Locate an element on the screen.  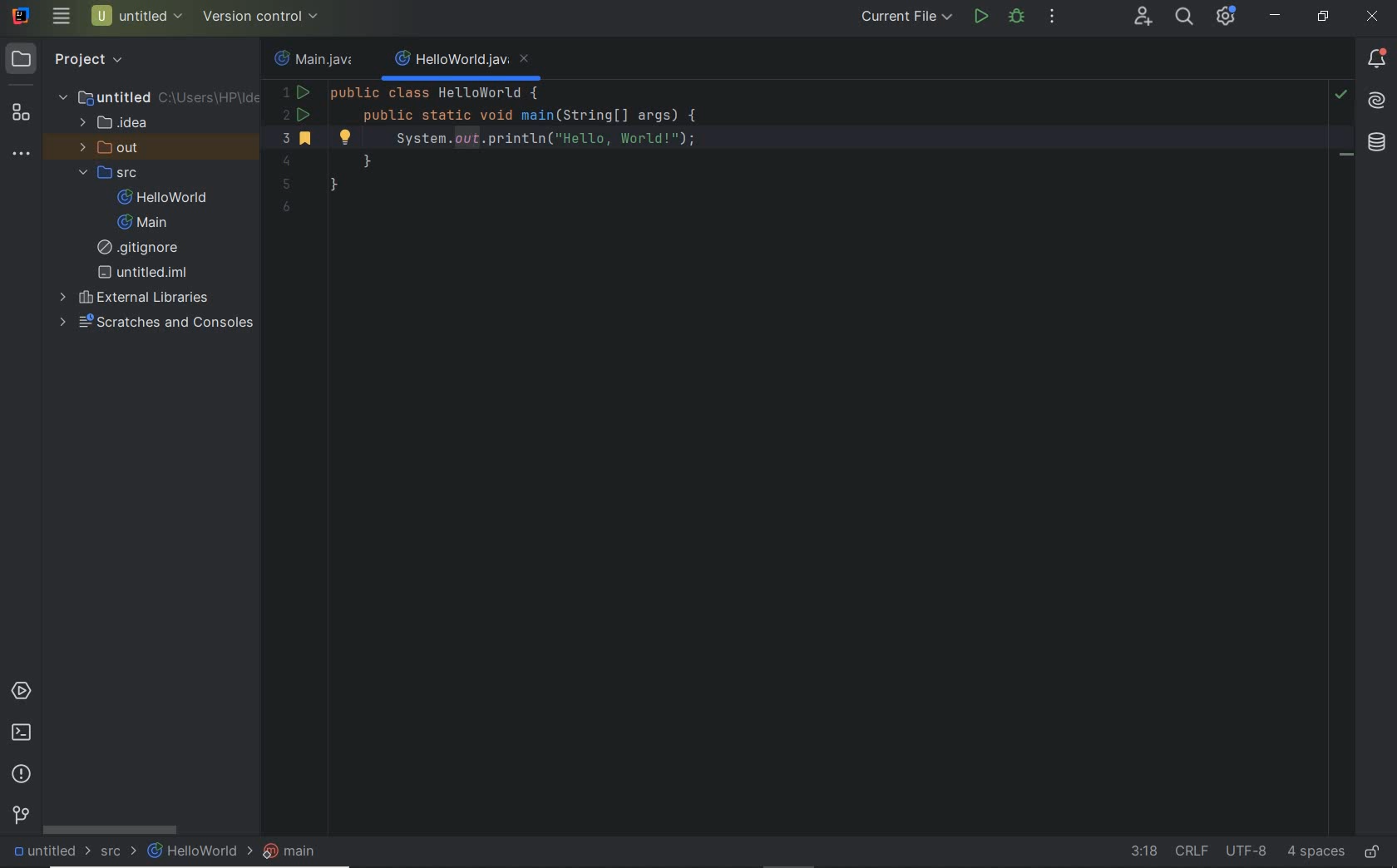
main is located at coordinates (142, 223).